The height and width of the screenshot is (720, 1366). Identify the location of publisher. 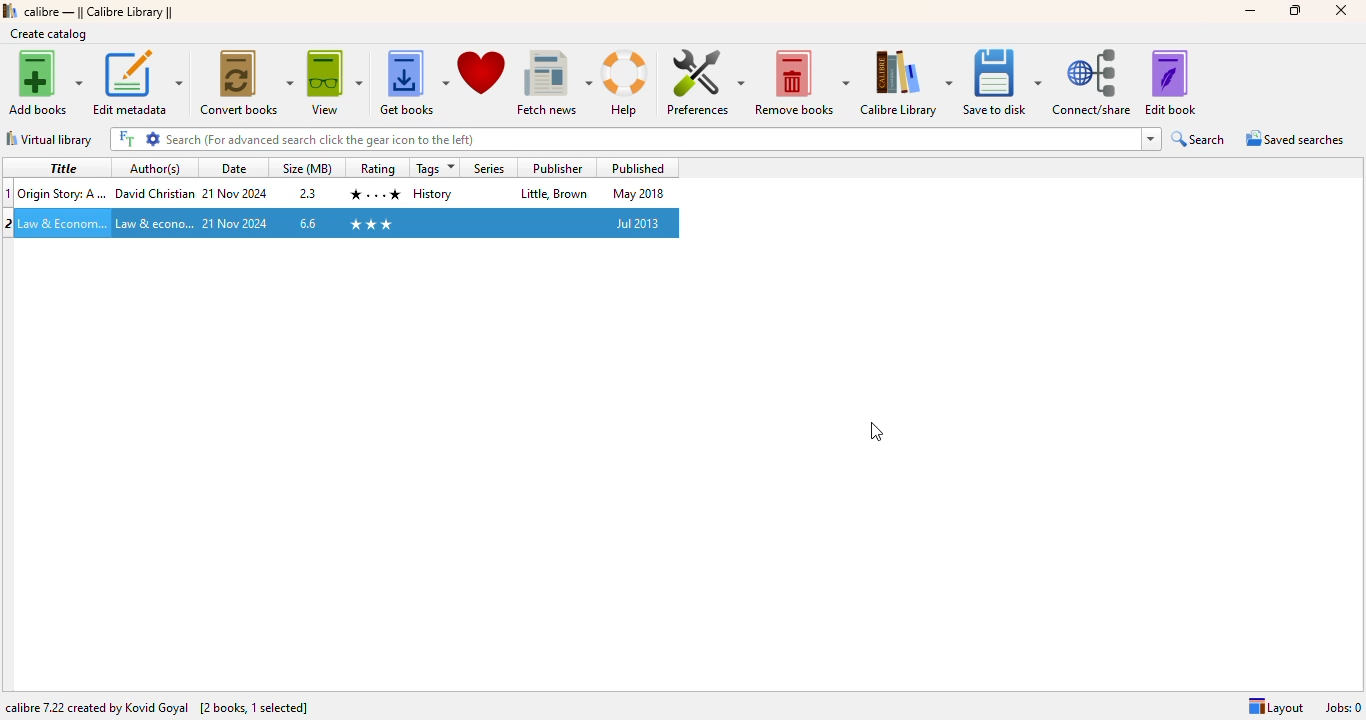
(554, 167).